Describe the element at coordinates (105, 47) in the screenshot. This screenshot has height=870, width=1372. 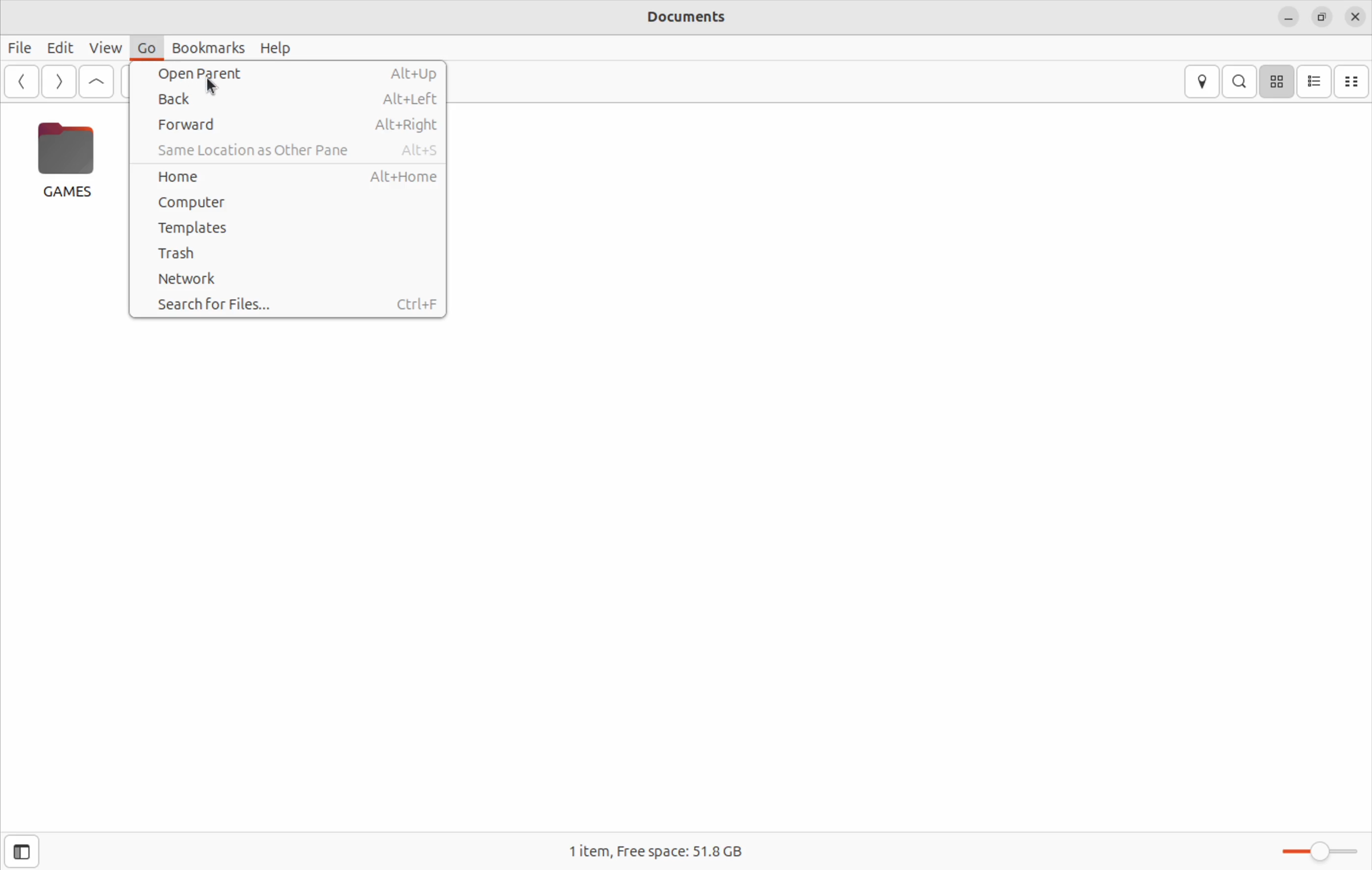
I see `view` at that location.